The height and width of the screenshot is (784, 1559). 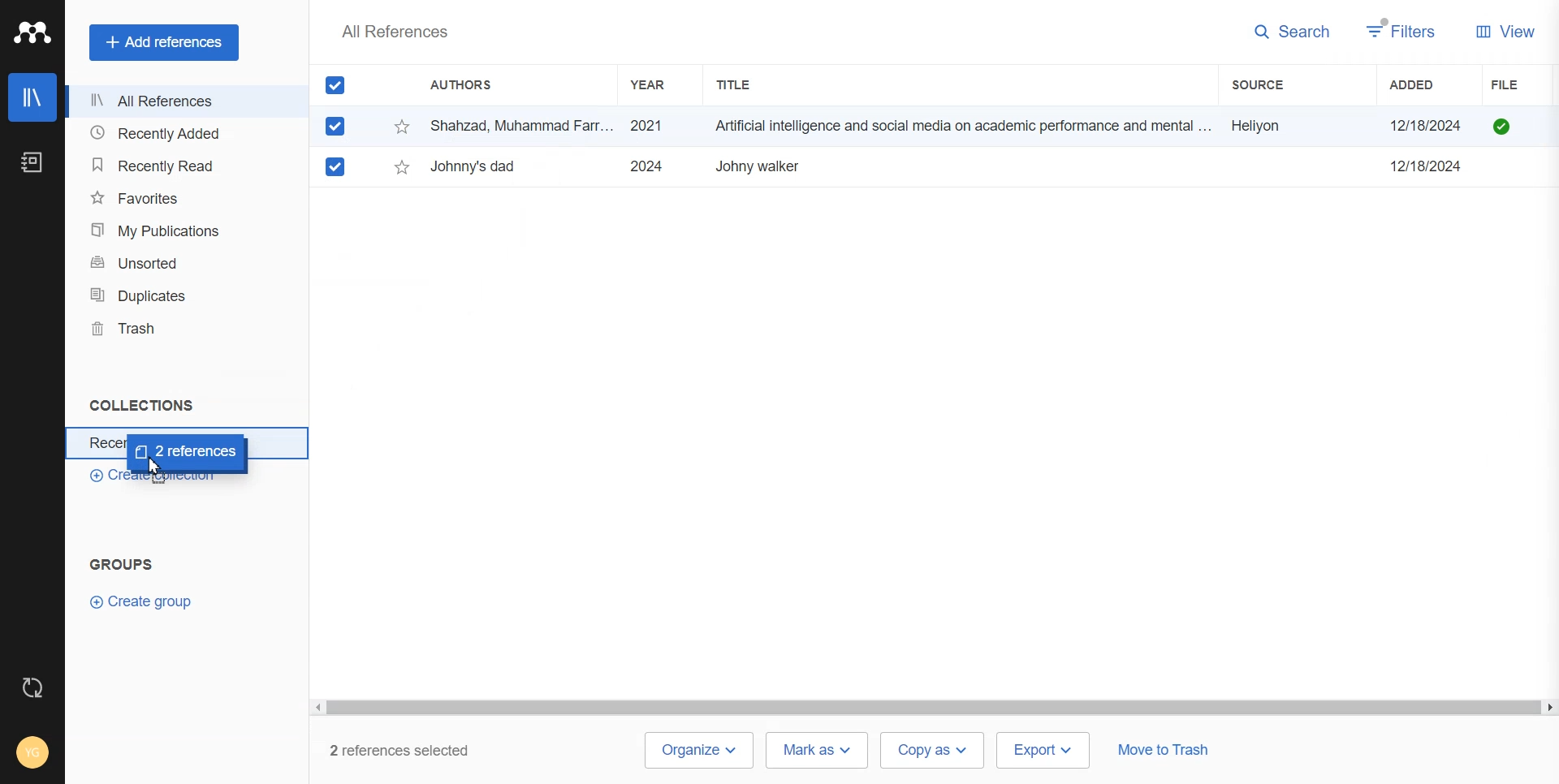 I want to click on Copy as, so click(x=934, y=751).